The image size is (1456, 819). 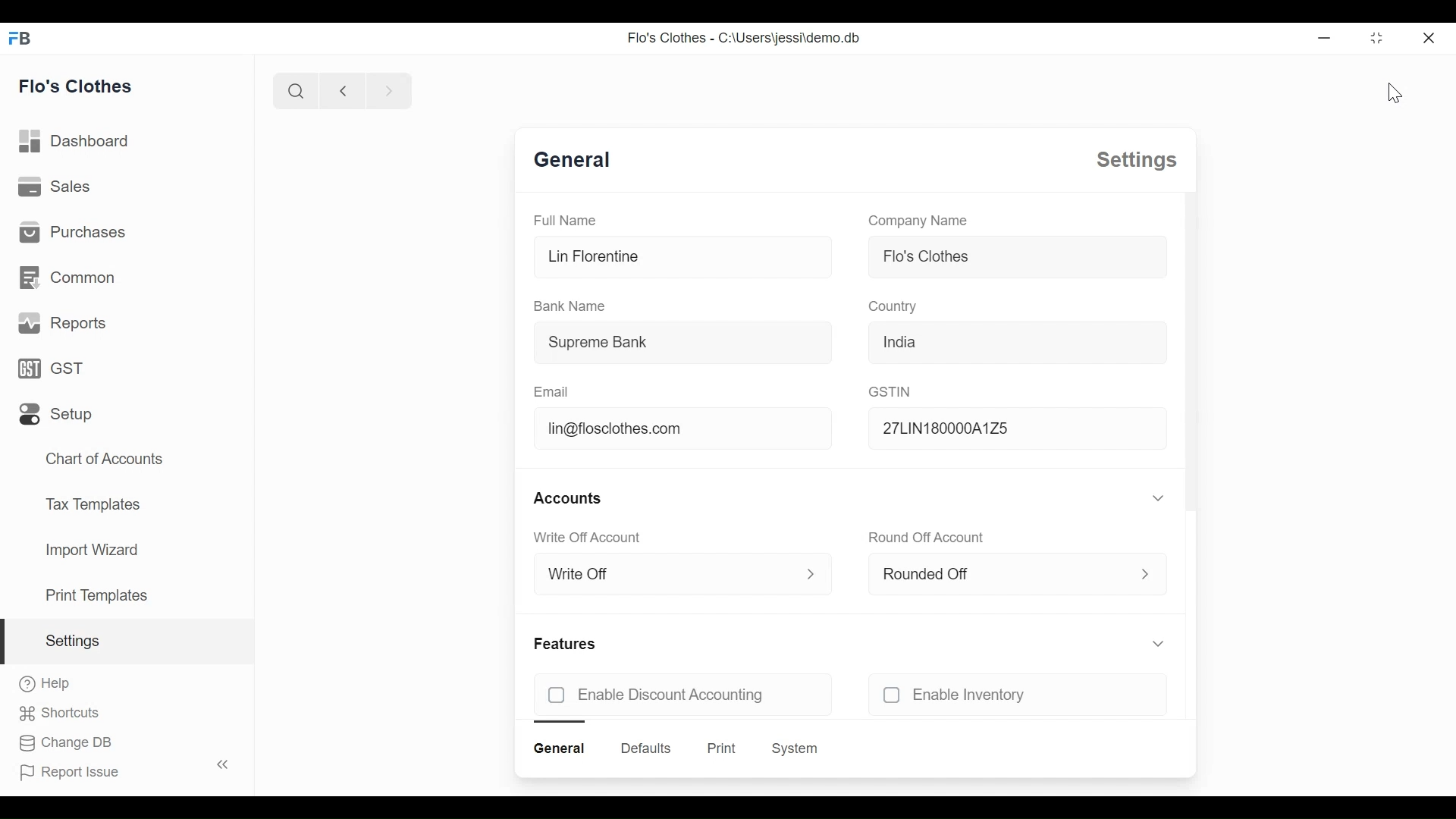 What do you see at coordinates (972, 695) in the screenshot?
I see `Enable Inventory` at bounding box center [972, 695].